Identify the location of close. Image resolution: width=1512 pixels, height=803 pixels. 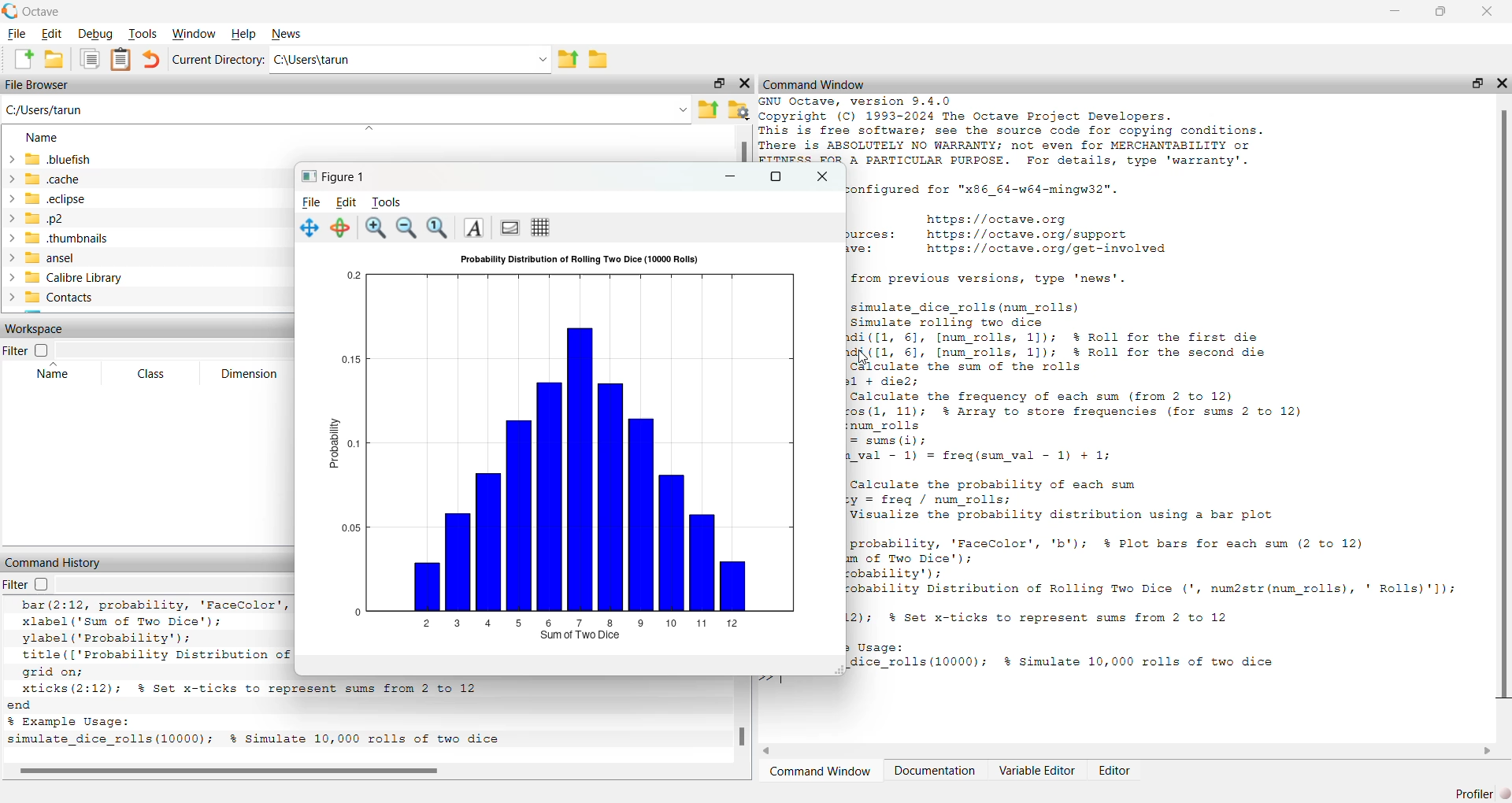
(743, 83).